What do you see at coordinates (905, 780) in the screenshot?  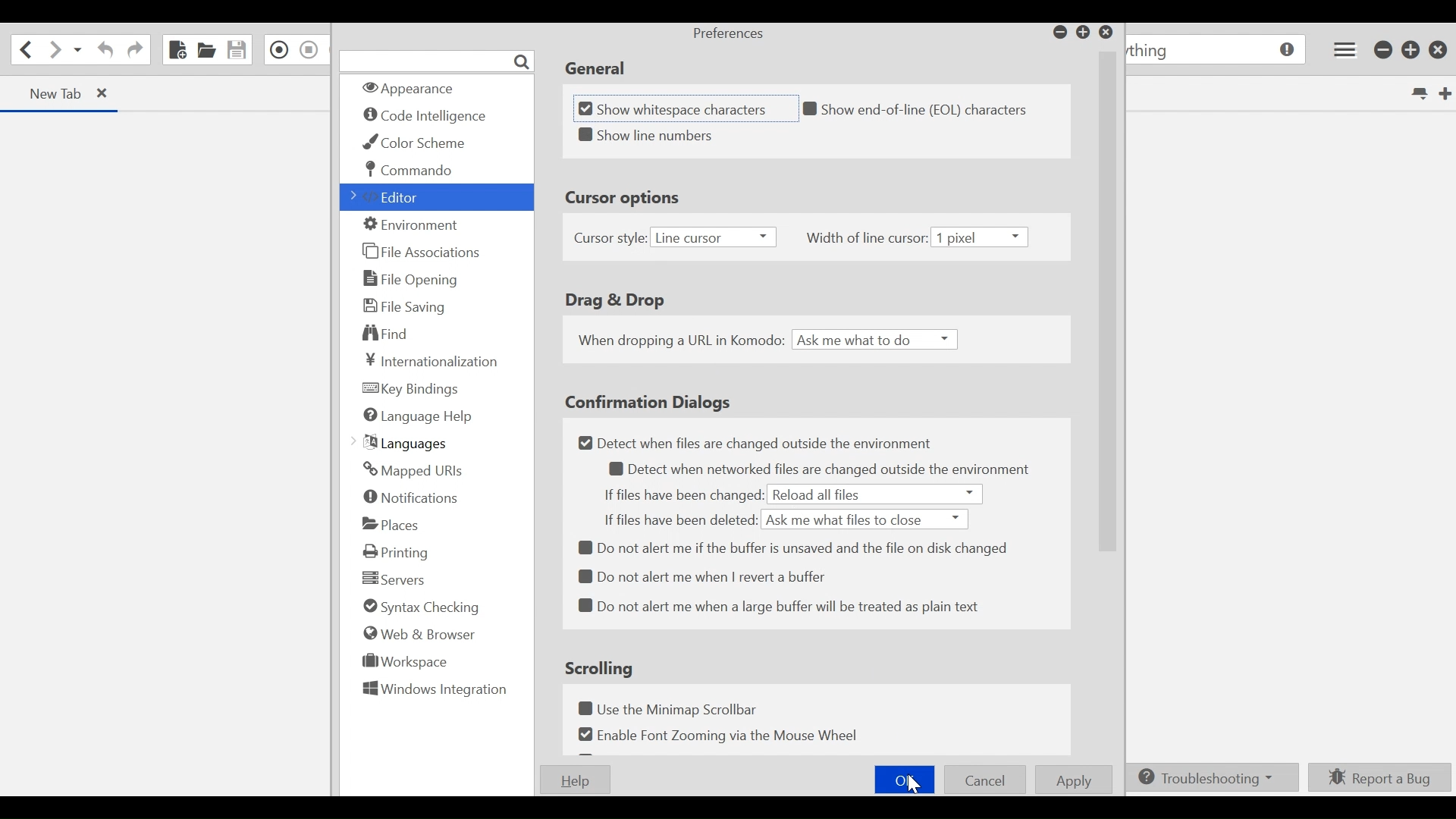 I see `OK` at bounding box center [905, 780].